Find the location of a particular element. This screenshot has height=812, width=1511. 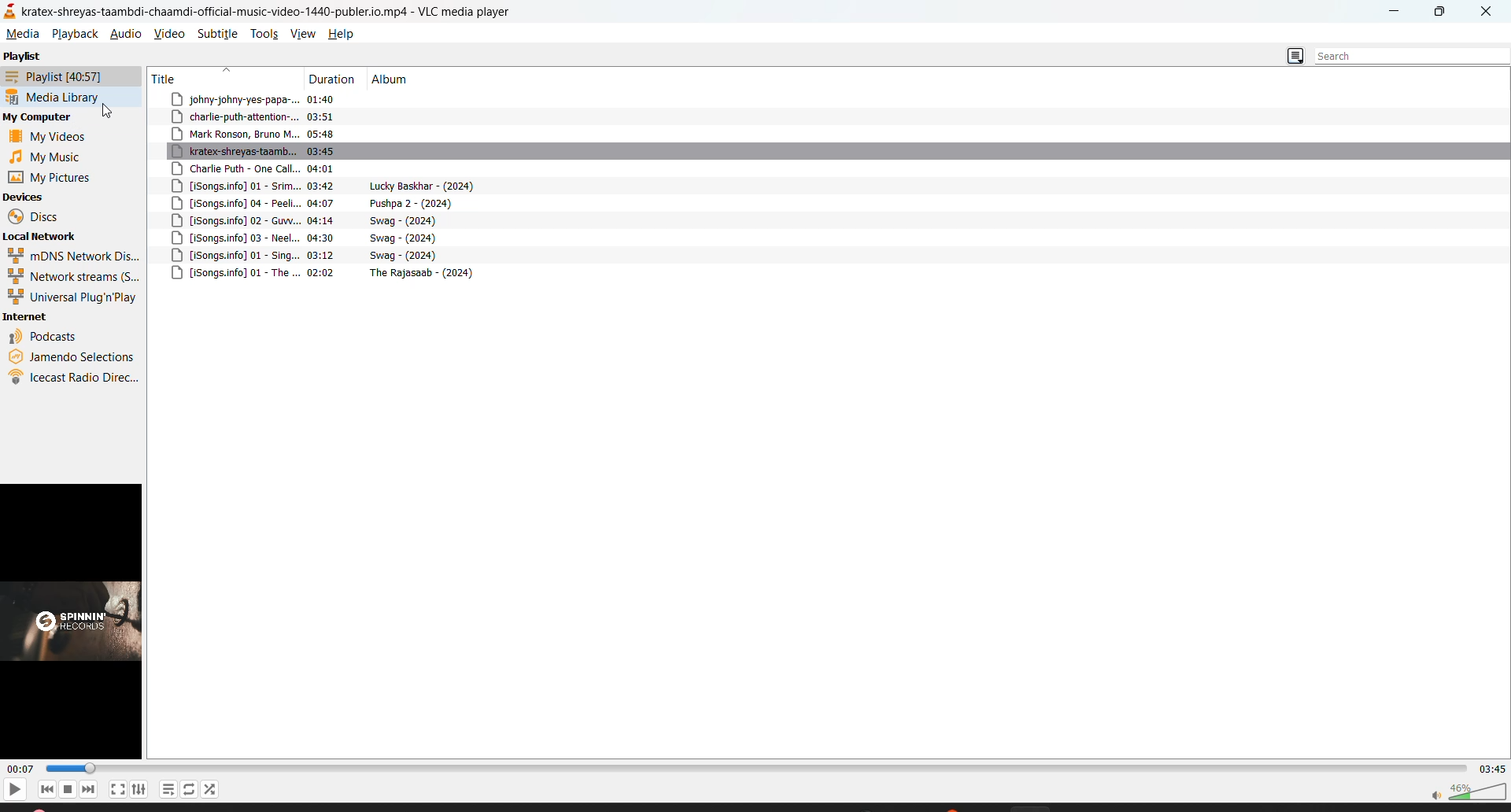

media is located at coordinates (21, 35).